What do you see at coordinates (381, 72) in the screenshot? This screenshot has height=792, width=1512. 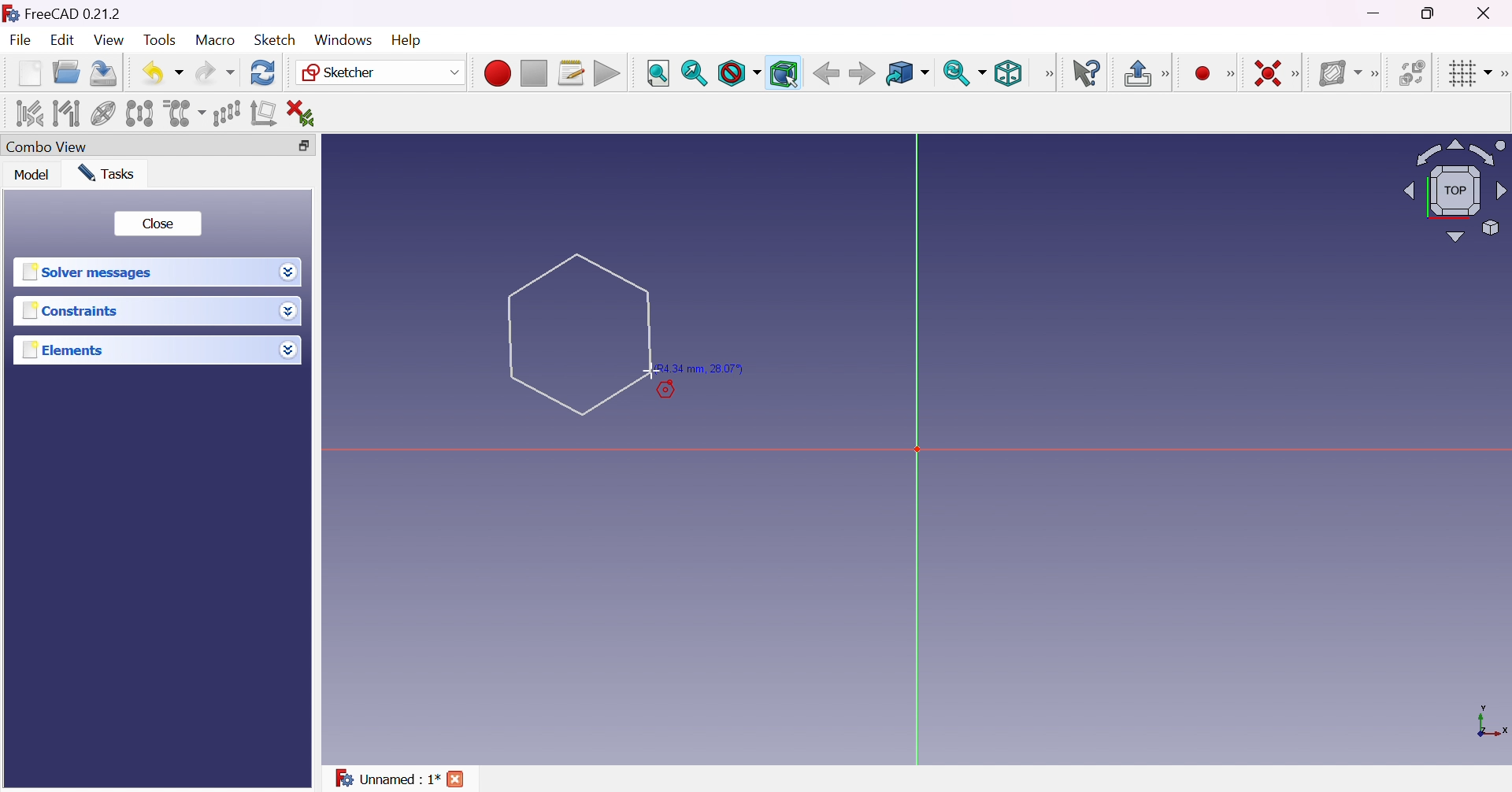 I see `Sketcher` at bounding box center [381, 72].